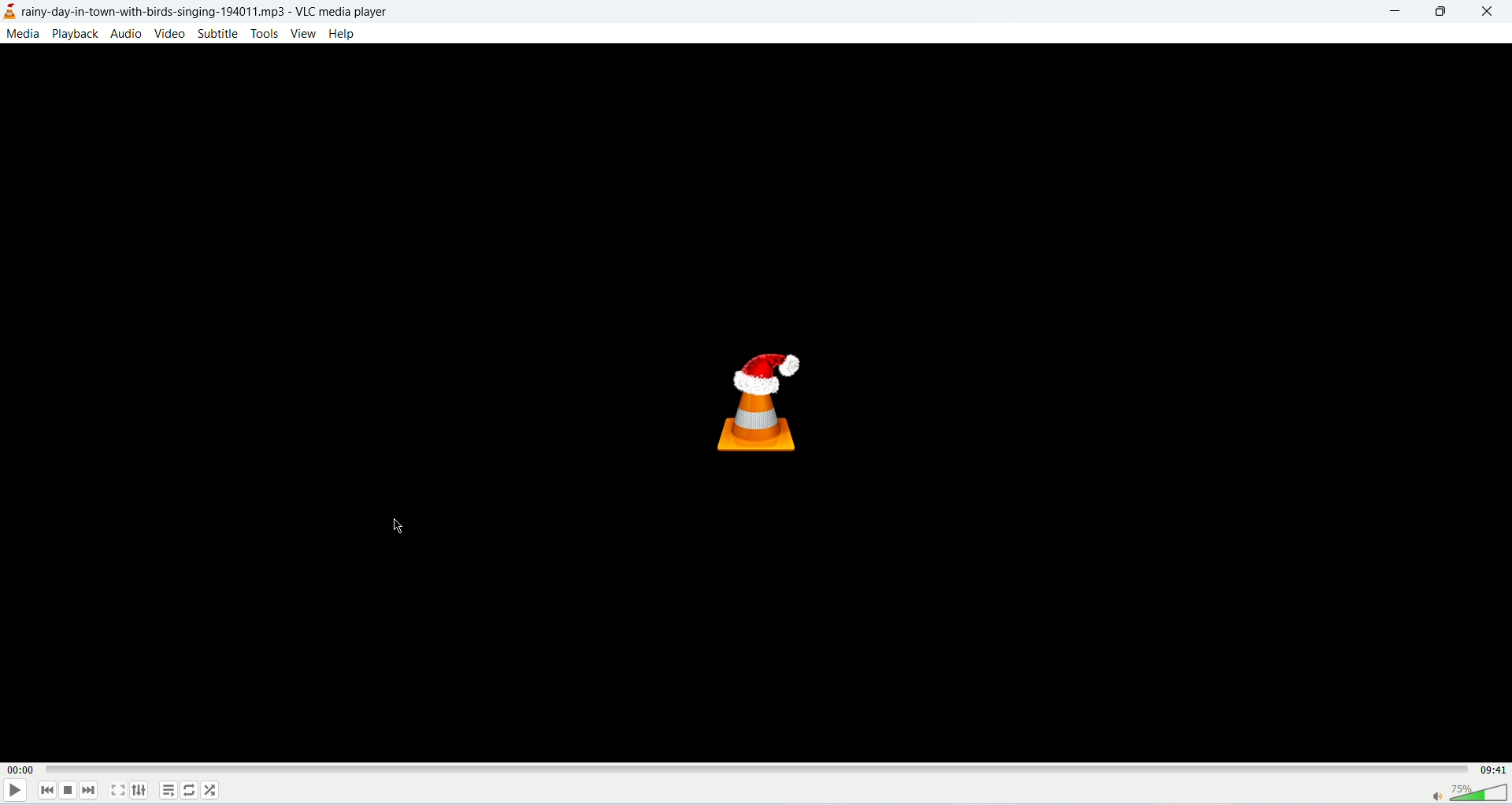  What do you see at coordinates (265, 34) in the screenshot?
I see `tools` at bounding box center [265, 34].